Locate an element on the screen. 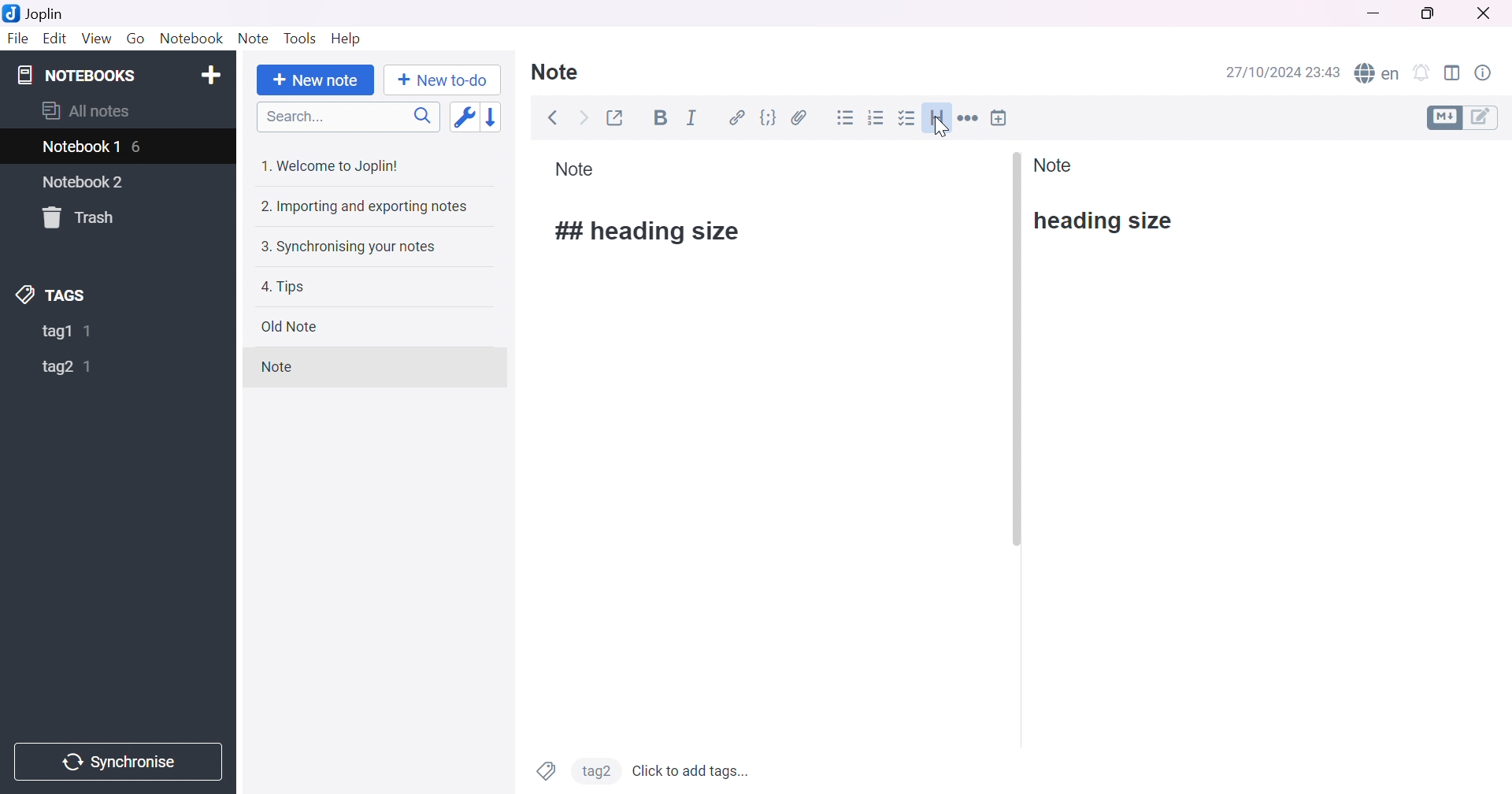 The image size is (1512, 794). Minimize is located at coordinates (1376, 15).